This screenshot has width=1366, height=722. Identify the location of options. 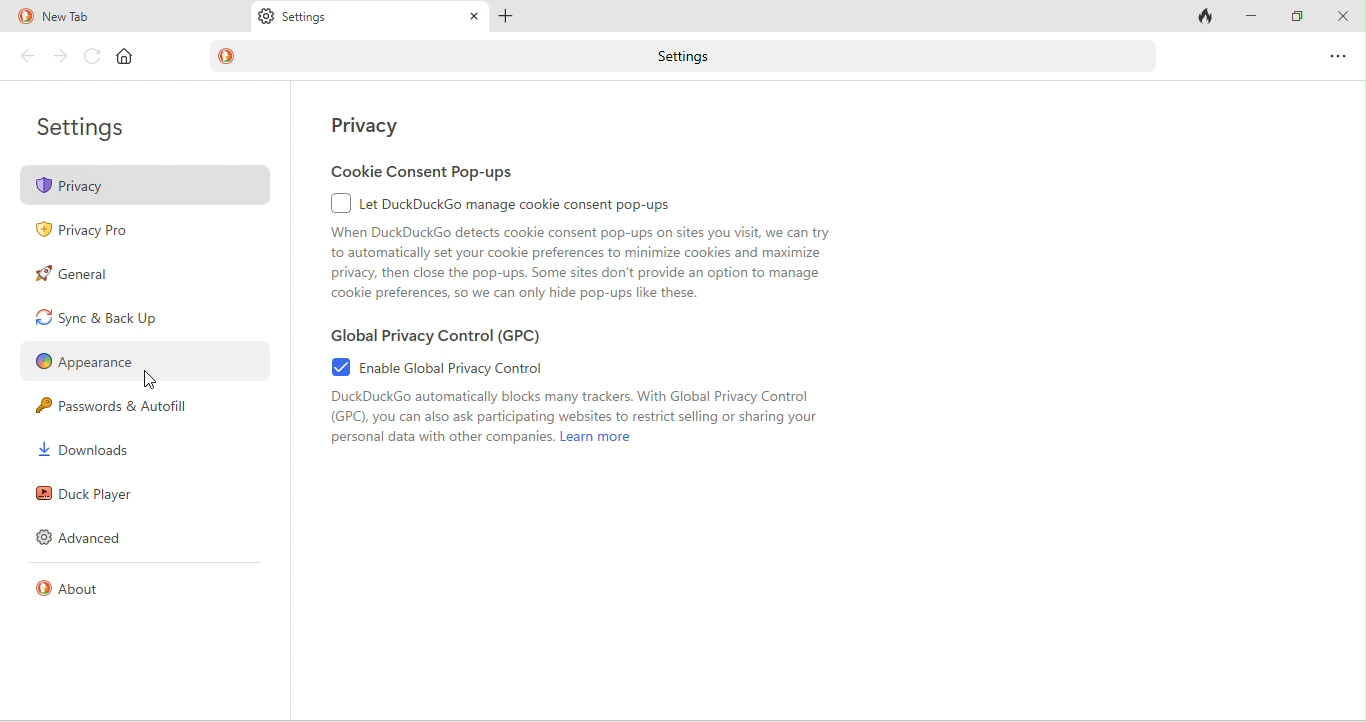
(1339, 55).